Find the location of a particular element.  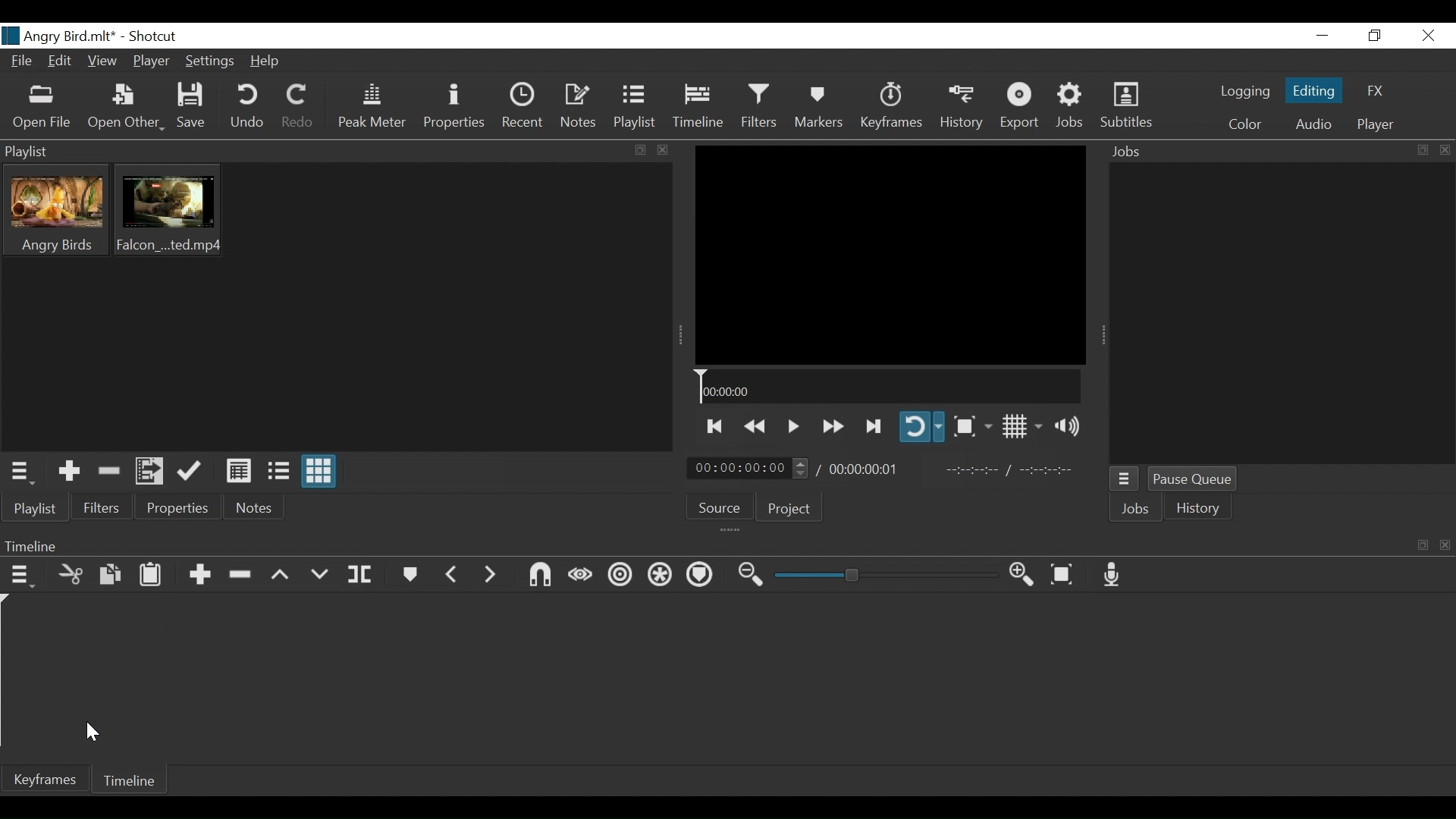

Shotcut is located at coordinates (154, 36).